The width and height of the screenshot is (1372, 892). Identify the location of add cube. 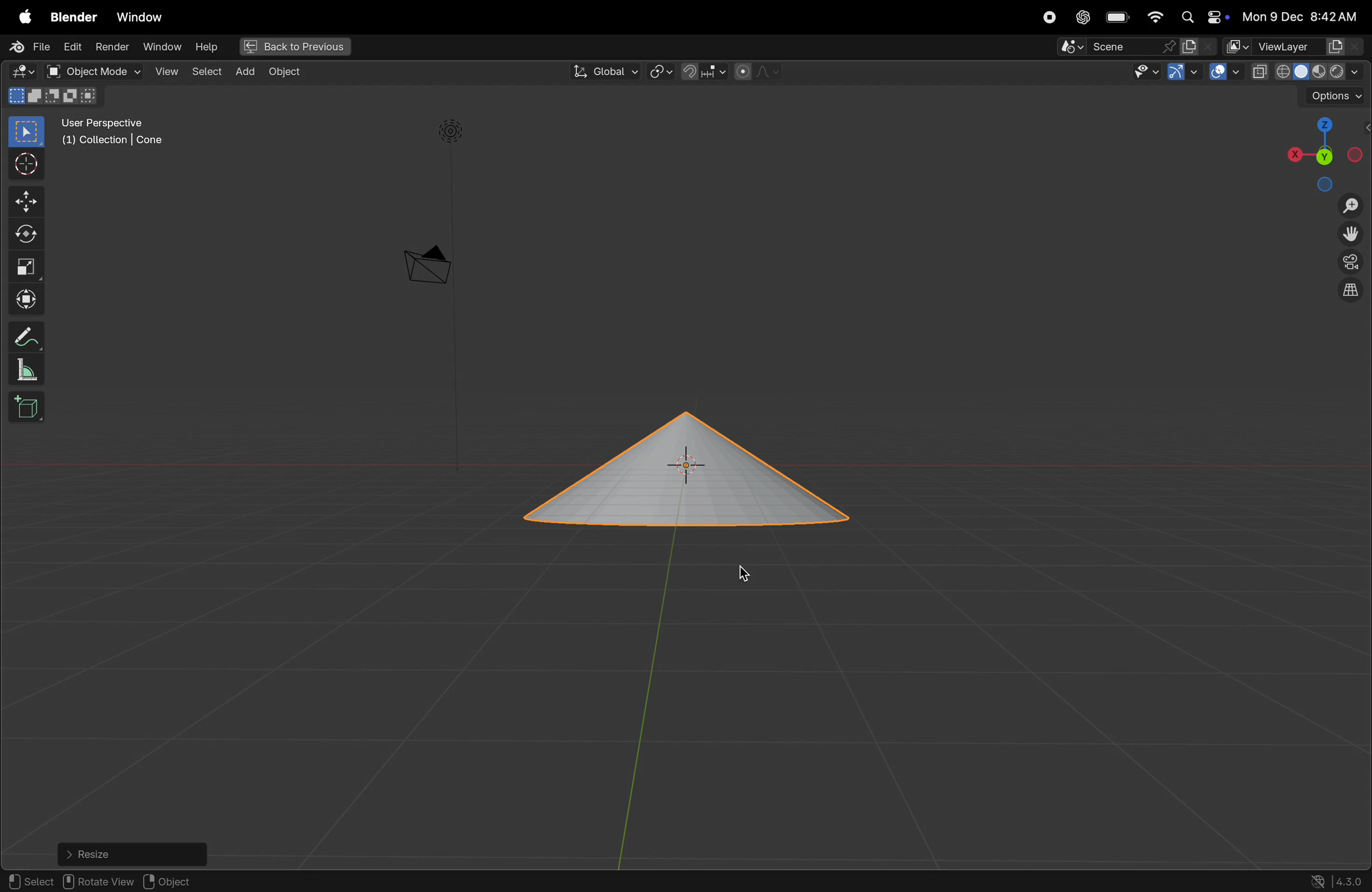
(24, 407).